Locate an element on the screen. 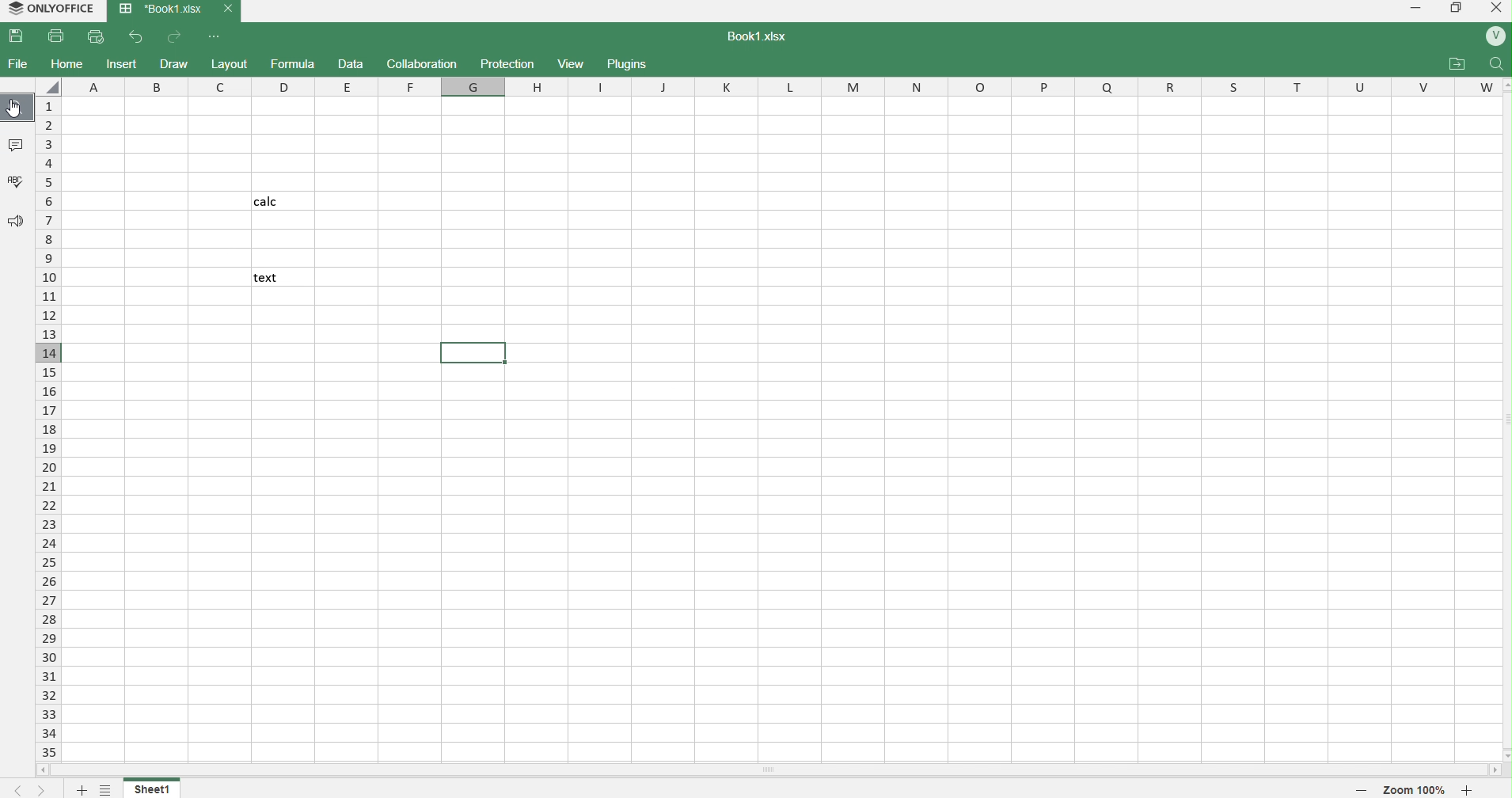  close is located at coordinates (1494, 11).